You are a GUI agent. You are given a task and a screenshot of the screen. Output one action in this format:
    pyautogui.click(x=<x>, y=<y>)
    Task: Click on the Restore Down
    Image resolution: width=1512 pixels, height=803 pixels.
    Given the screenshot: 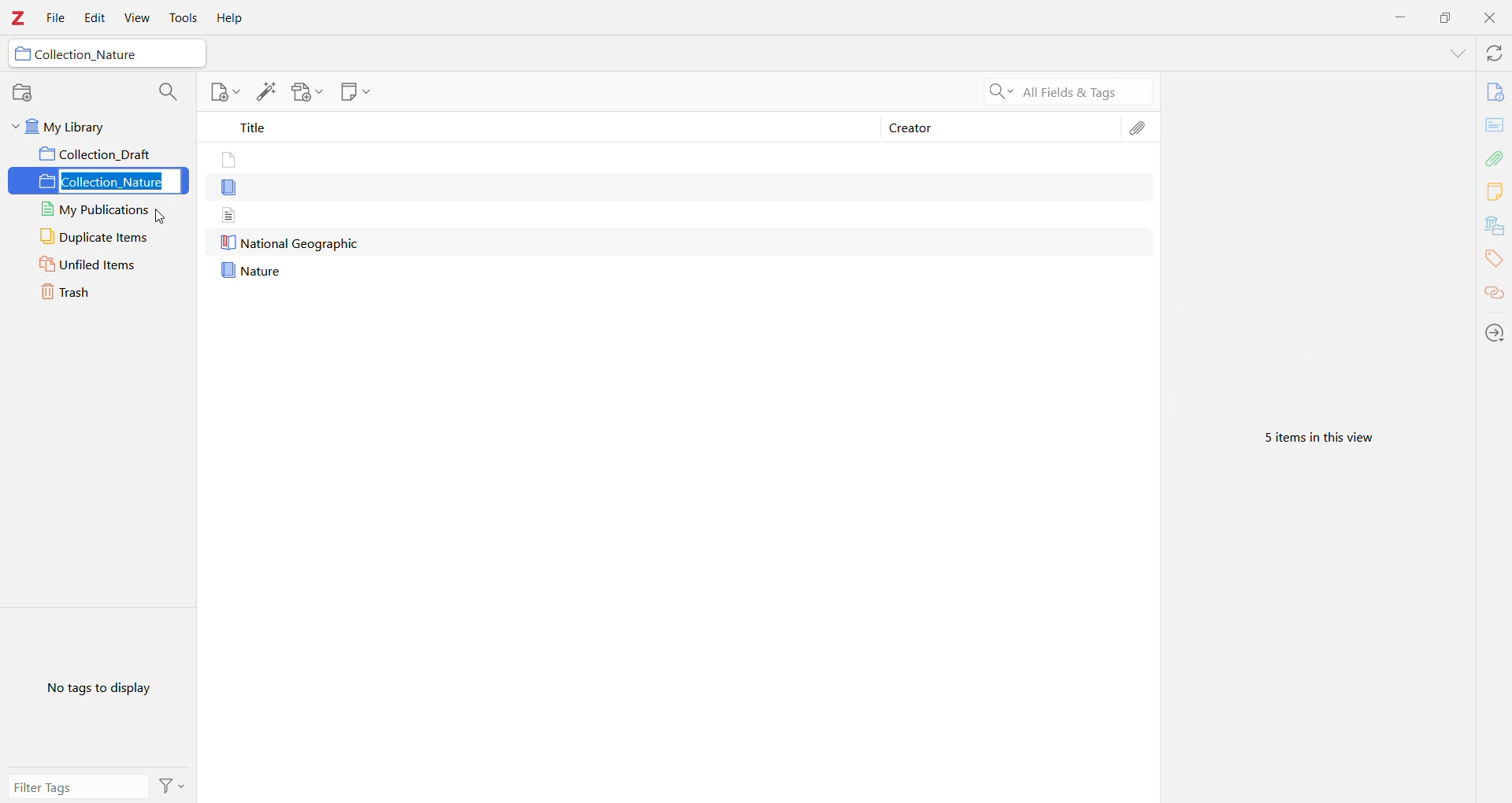 What is the action you would take?
    pyautogui.click(x=1446, y=17)
    